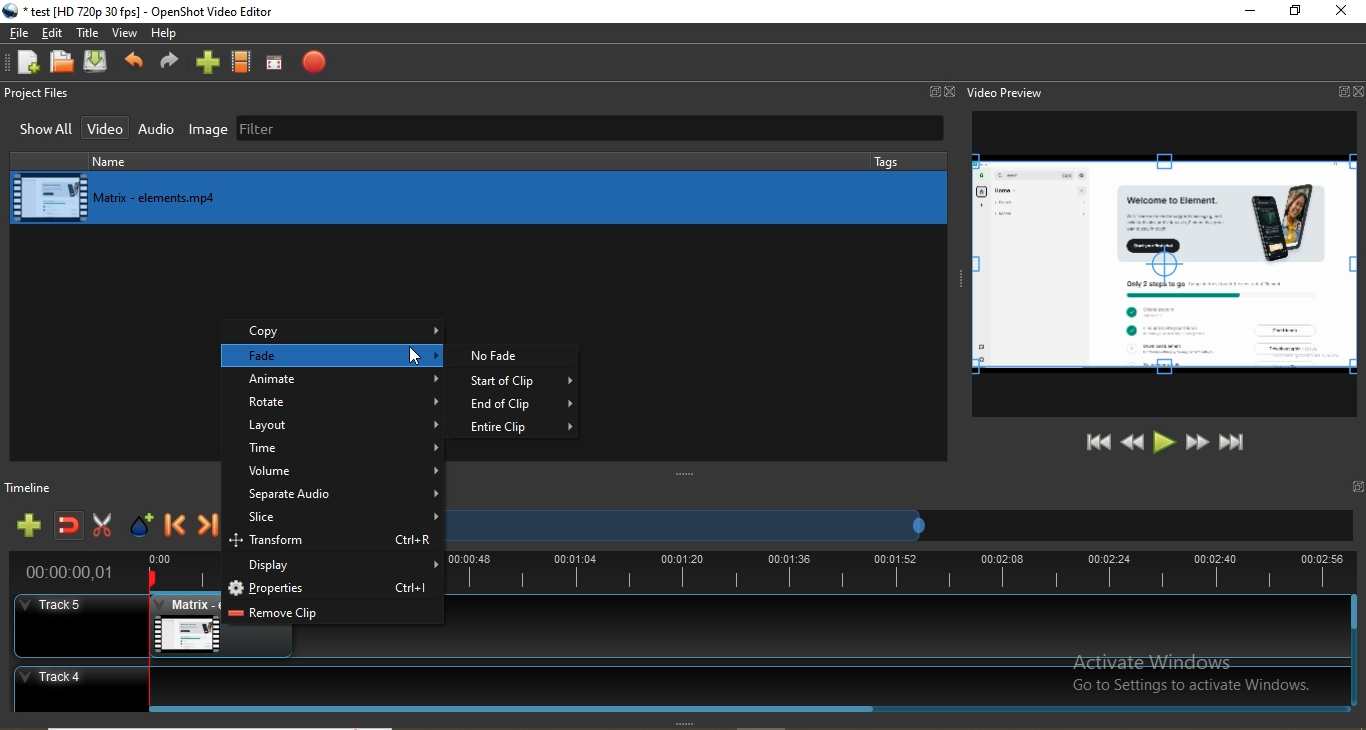 The width and height of the screenshot is (1366, 730). Describe the element at coordinates (63, 61) in the screenshot. I see `Open project` at that location.